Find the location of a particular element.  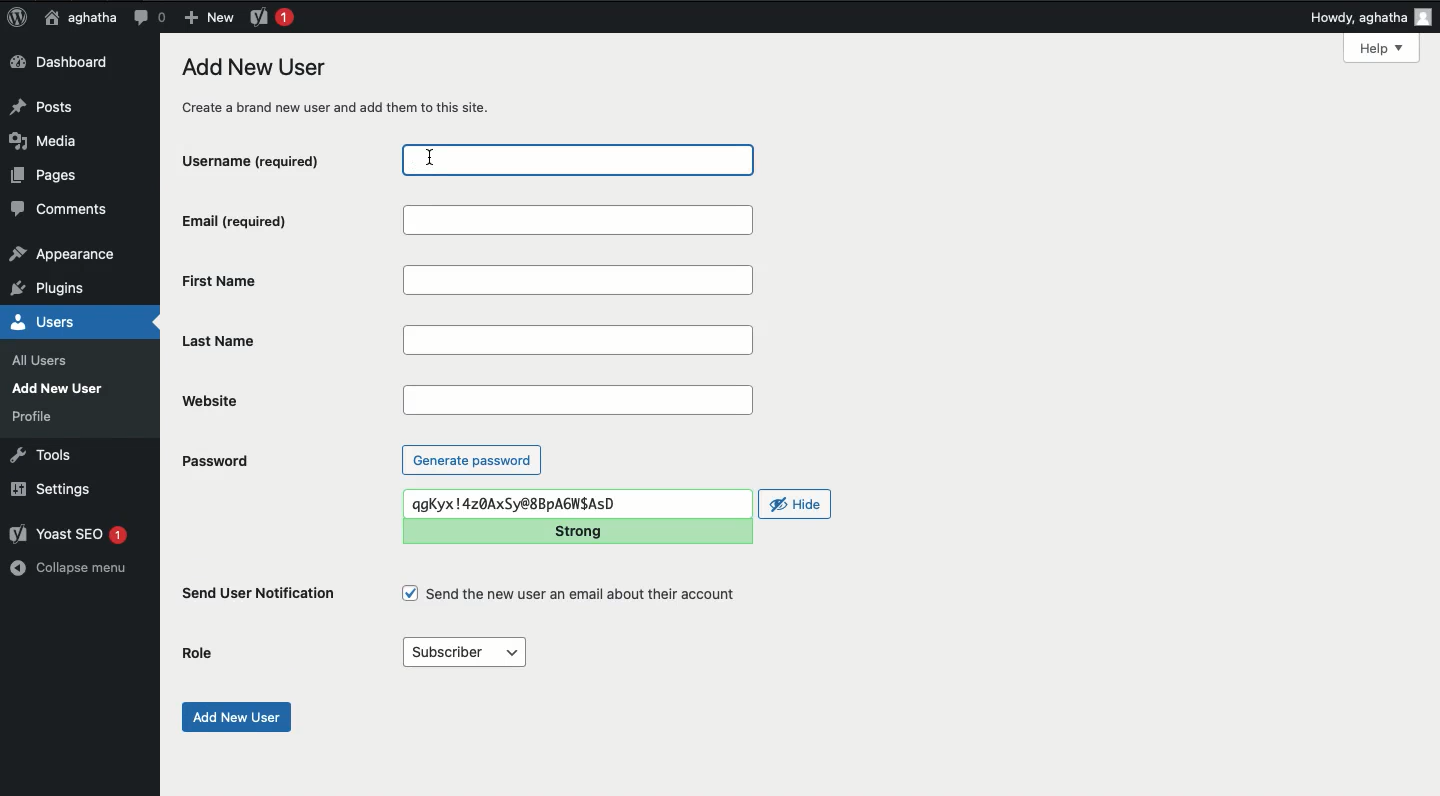

username is located at coordinates (576, 160).